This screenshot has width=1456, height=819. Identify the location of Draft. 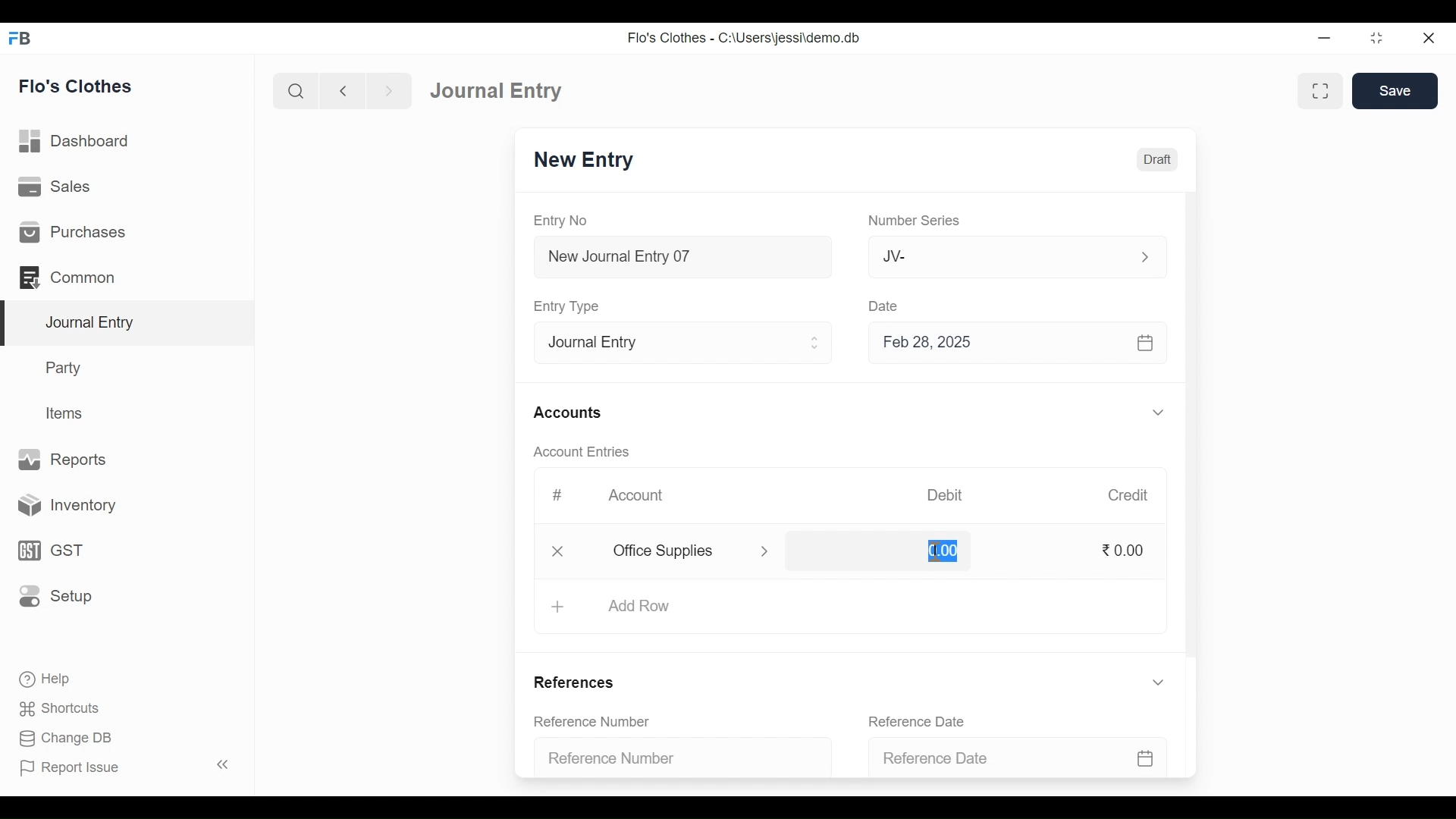
(1154, 160).